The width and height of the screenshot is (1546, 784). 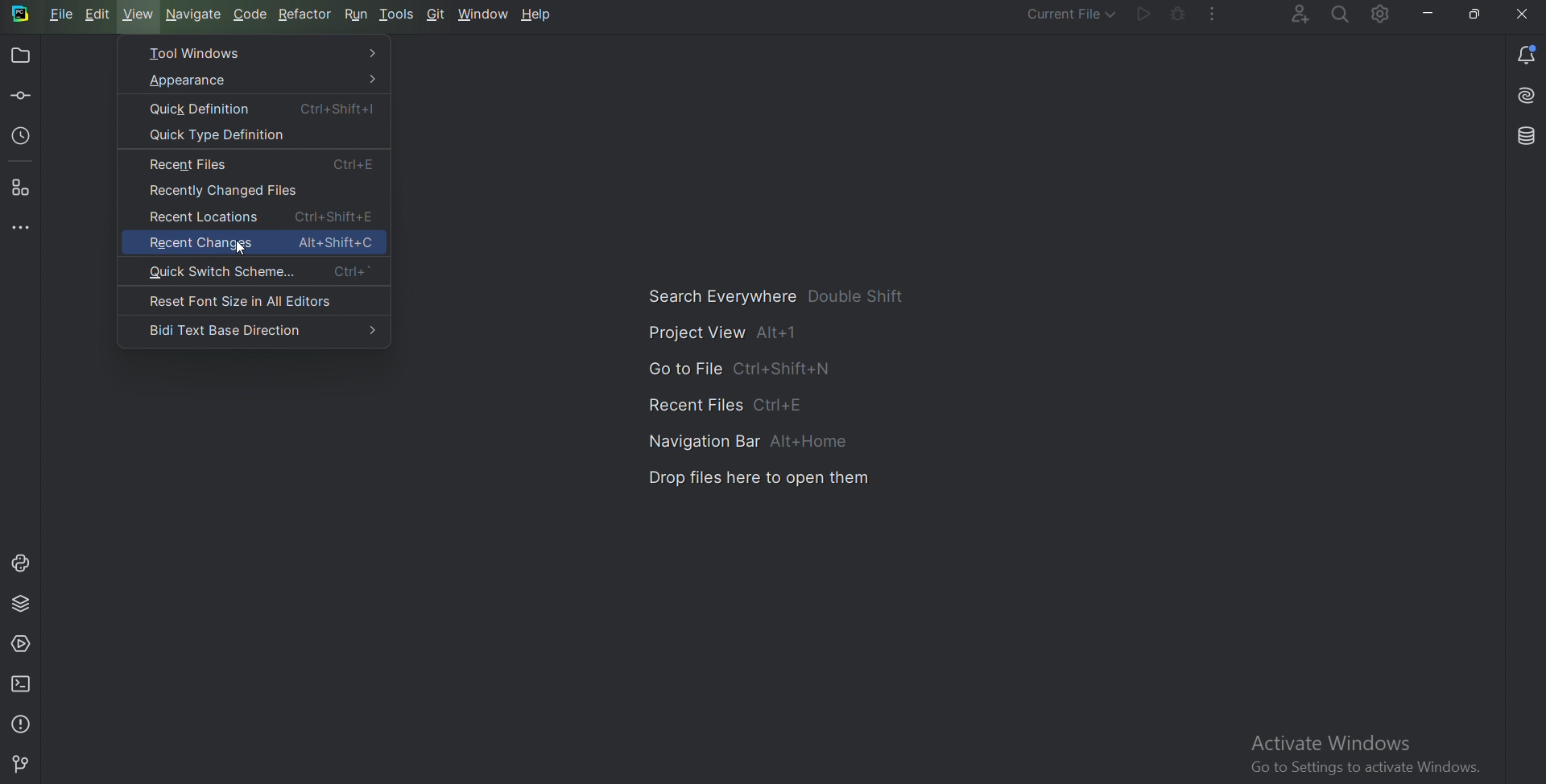 What do you see at coordinates (304, 14) in the screenshot?
I see `Refactor` at bounding box center [304, 14].